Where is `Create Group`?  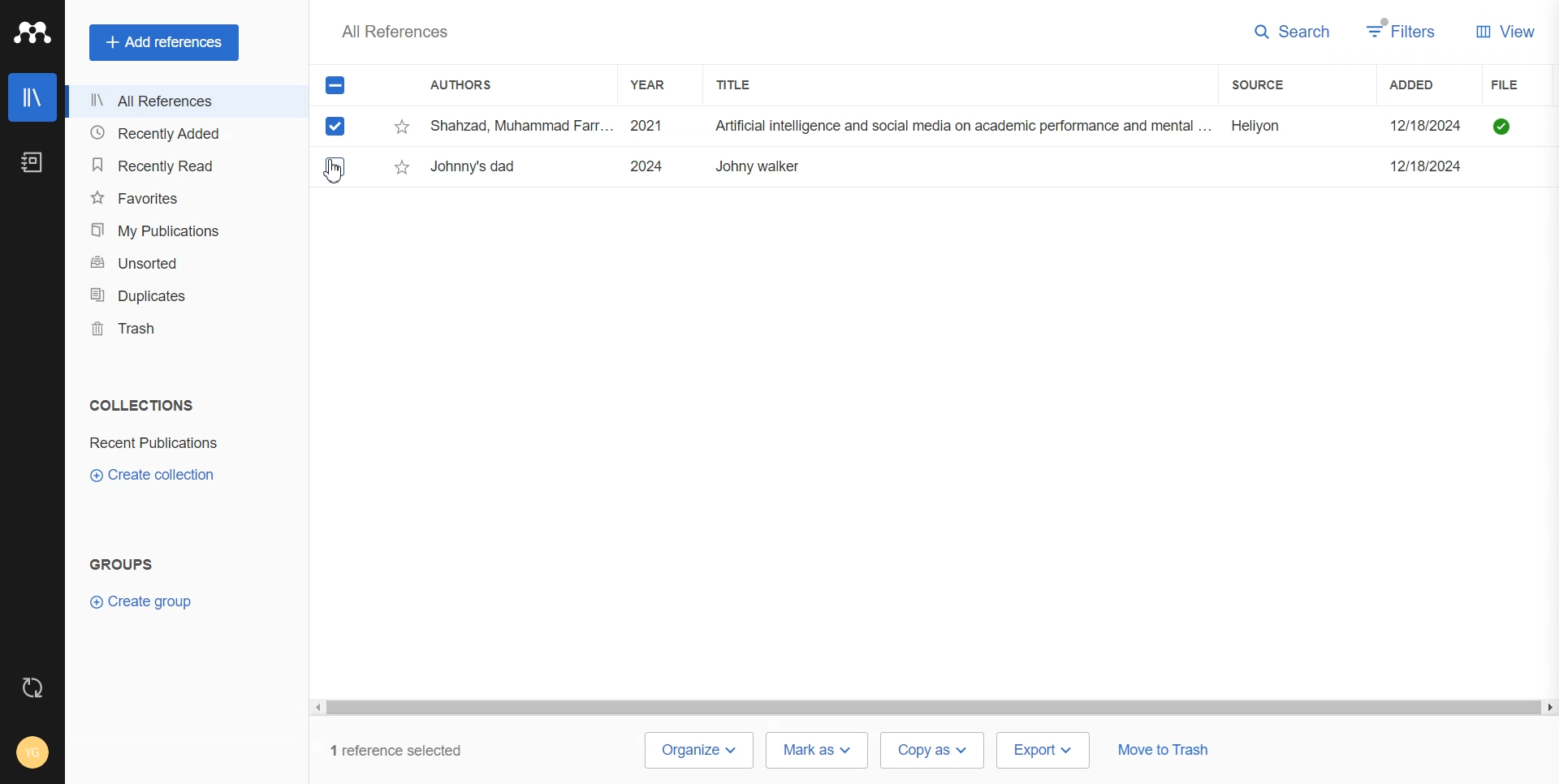
Create Group is located at coordinates (149, 601).